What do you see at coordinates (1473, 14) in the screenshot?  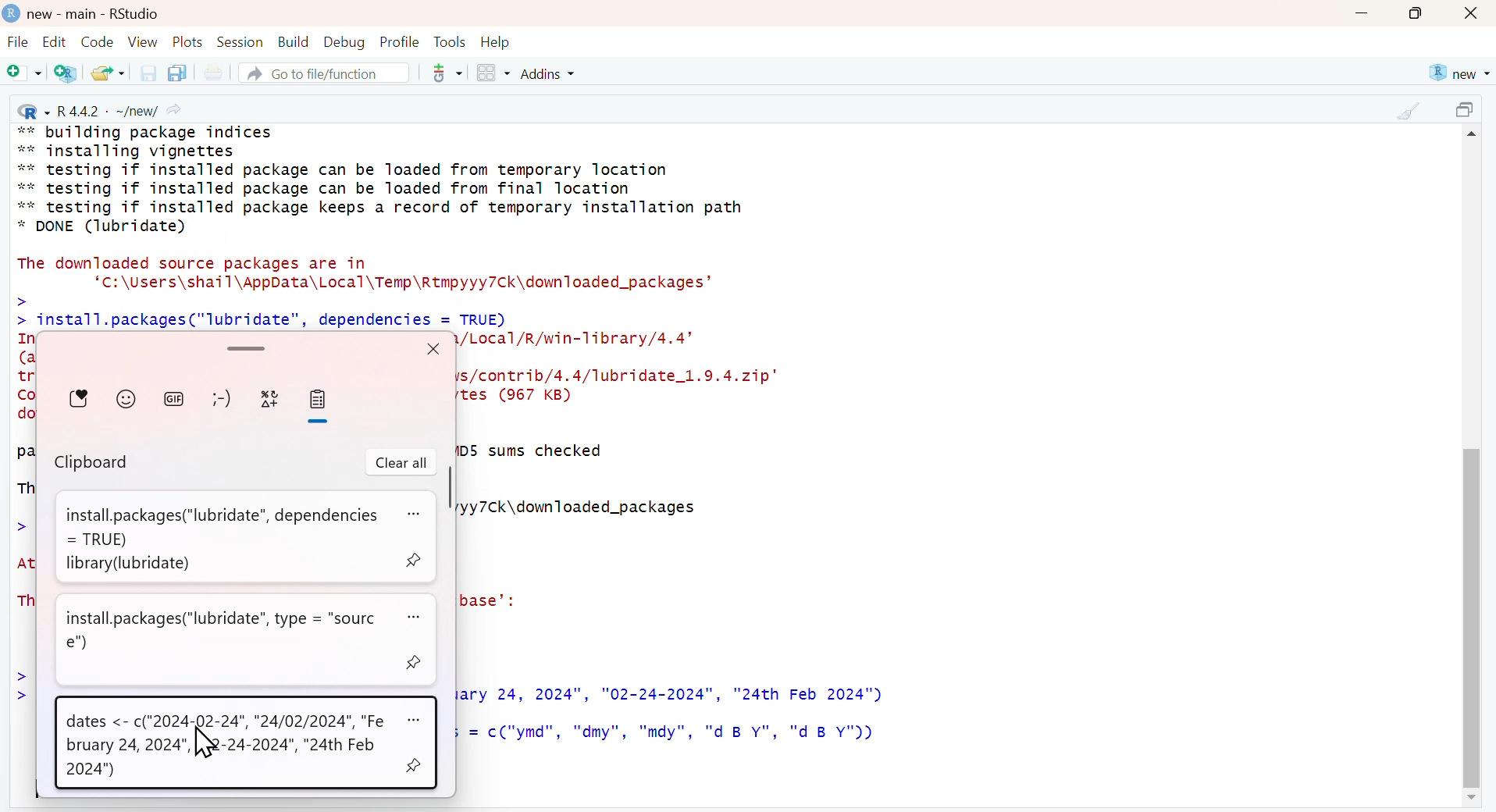 I see `close` at bounding box center [1473, 14].